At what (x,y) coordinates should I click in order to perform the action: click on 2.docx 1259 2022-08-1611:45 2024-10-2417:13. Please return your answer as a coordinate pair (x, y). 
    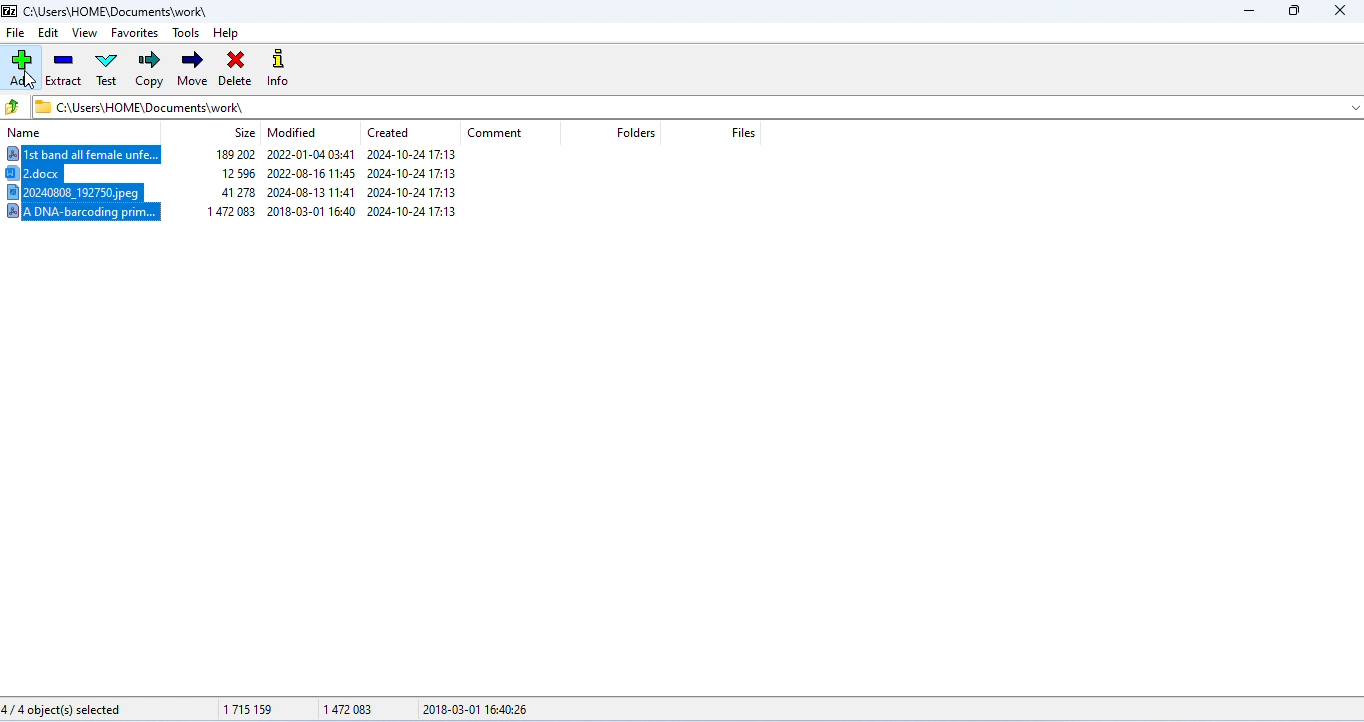
    Looking at the image, I should click on (246, 175).